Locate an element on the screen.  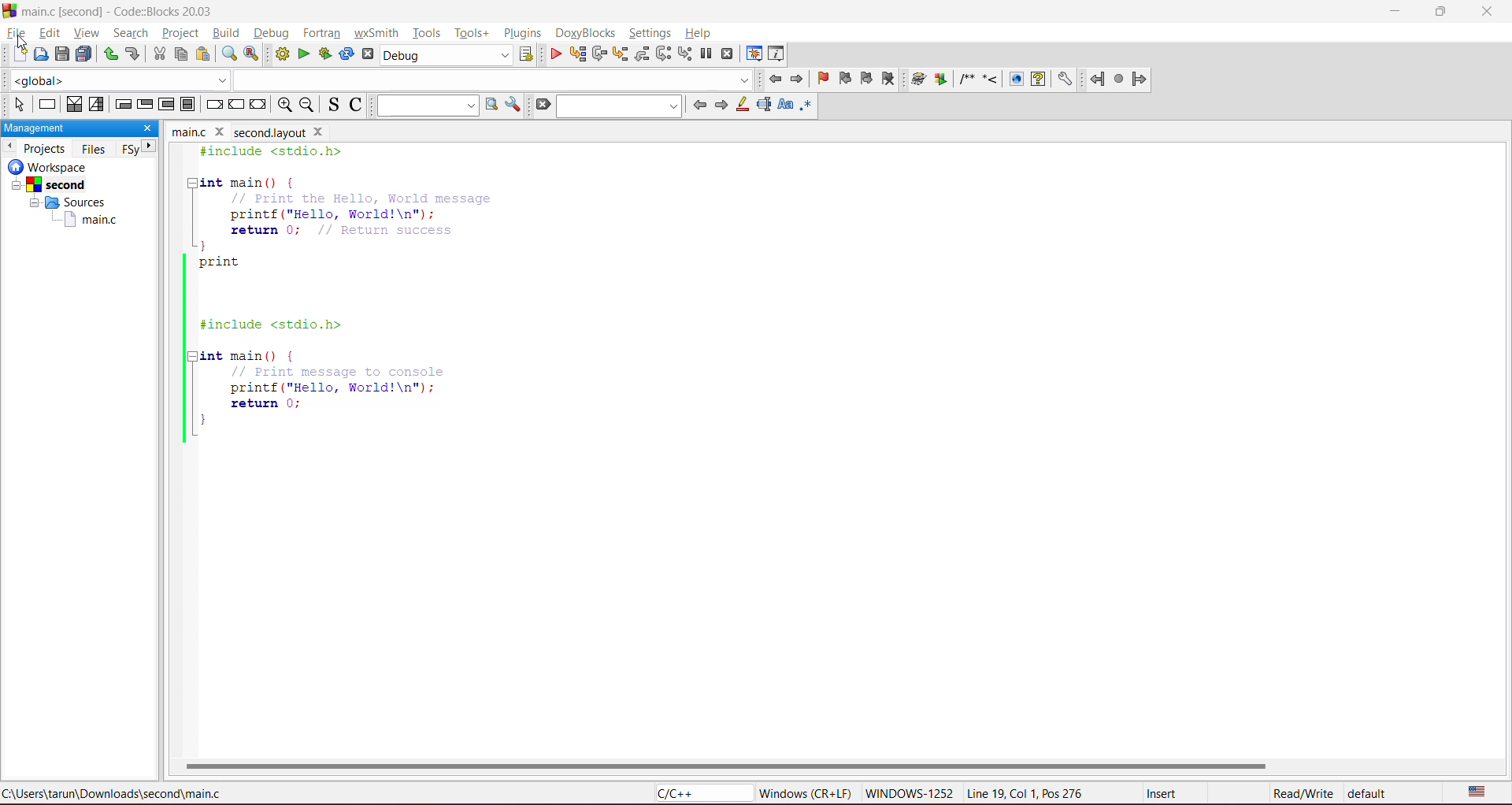
continue instruction is located at coordinates (236, 104).